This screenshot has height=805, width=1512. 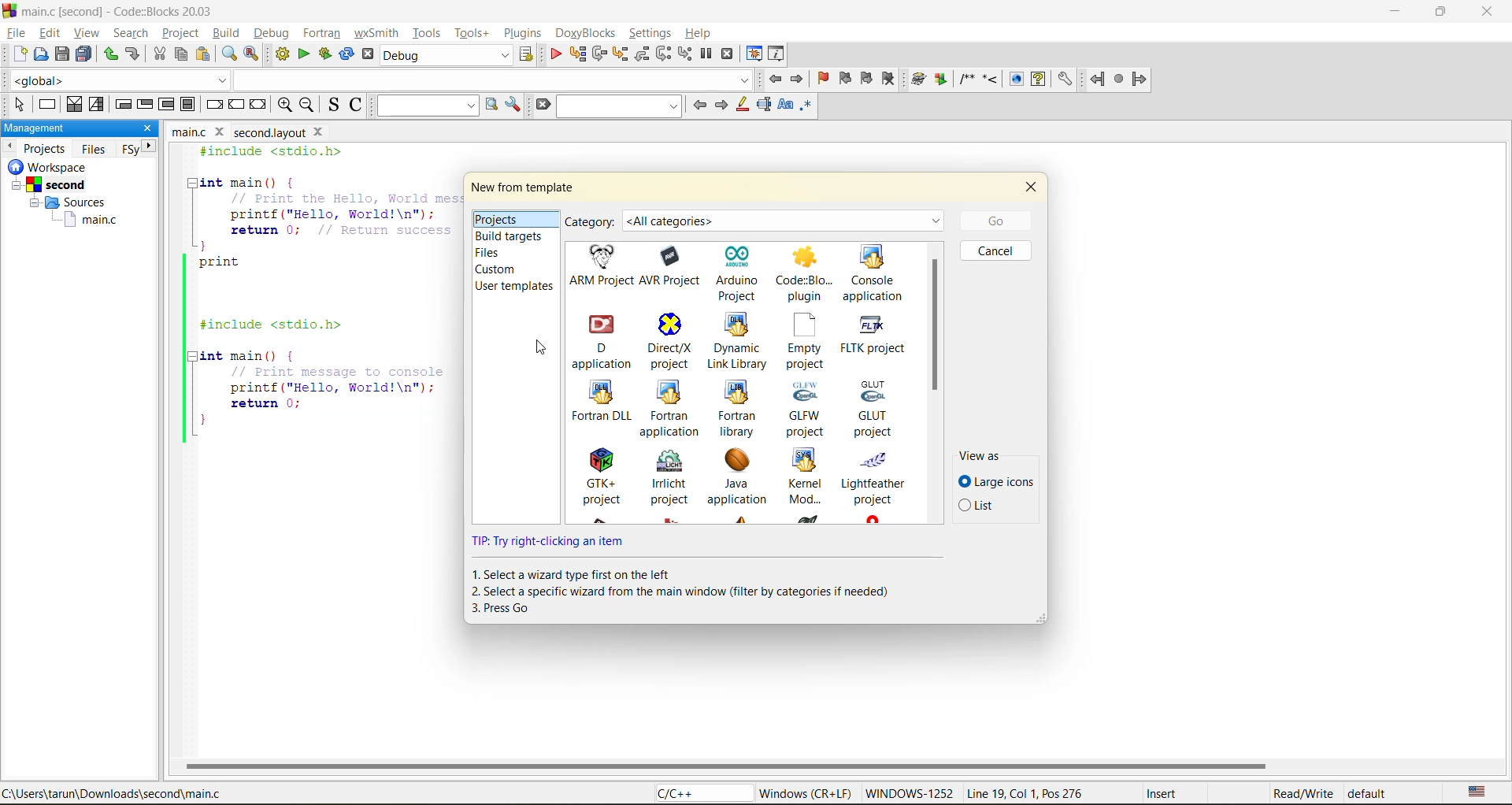 What do you see at coordinates (673, 477) in the screenshot?
I see `irrlicht project` at bounding box center [673, 477].